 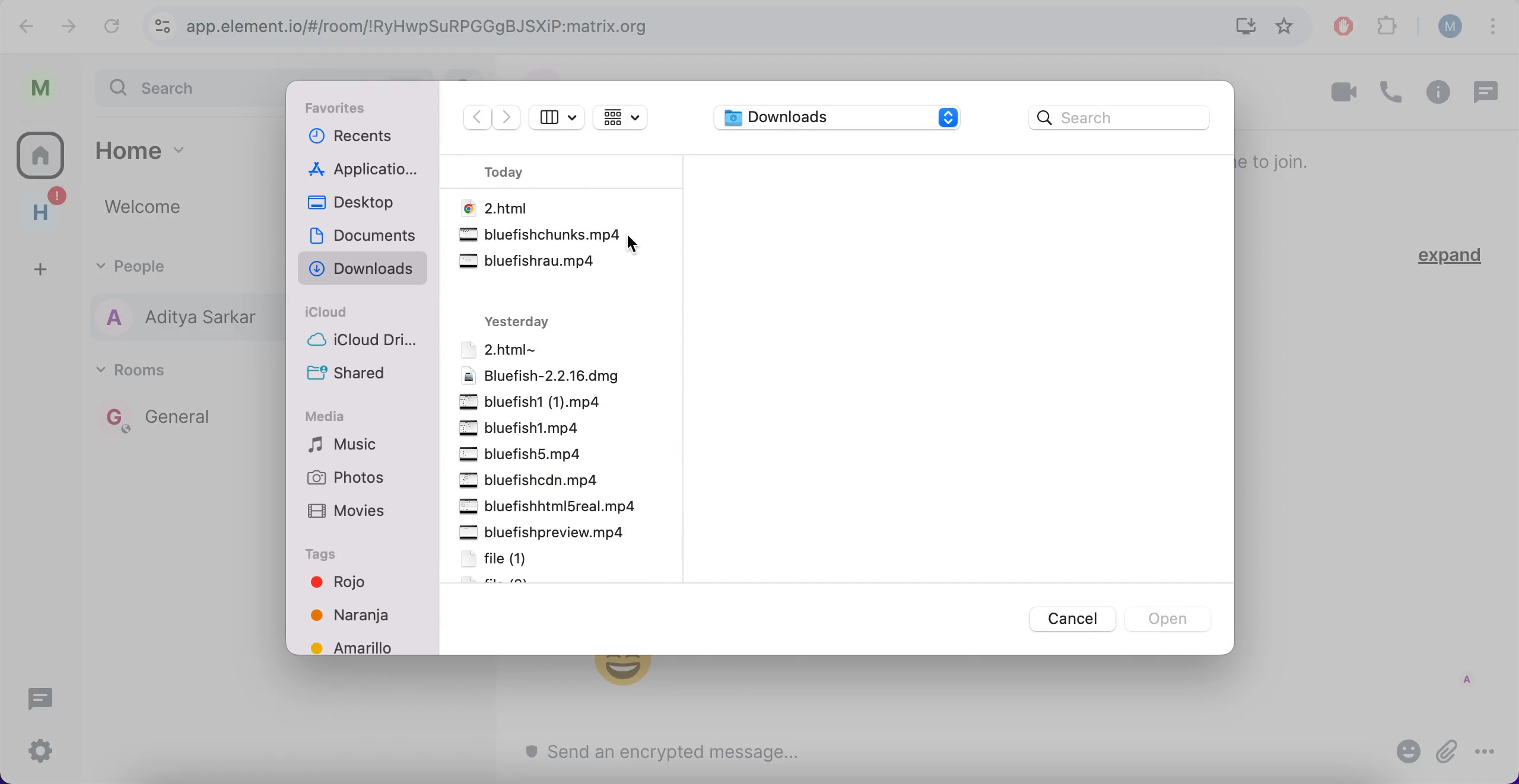 What do you see at coordinates (367, 340) in the screenshot?
I see `icloud drive` at bounding box center [367, 340].